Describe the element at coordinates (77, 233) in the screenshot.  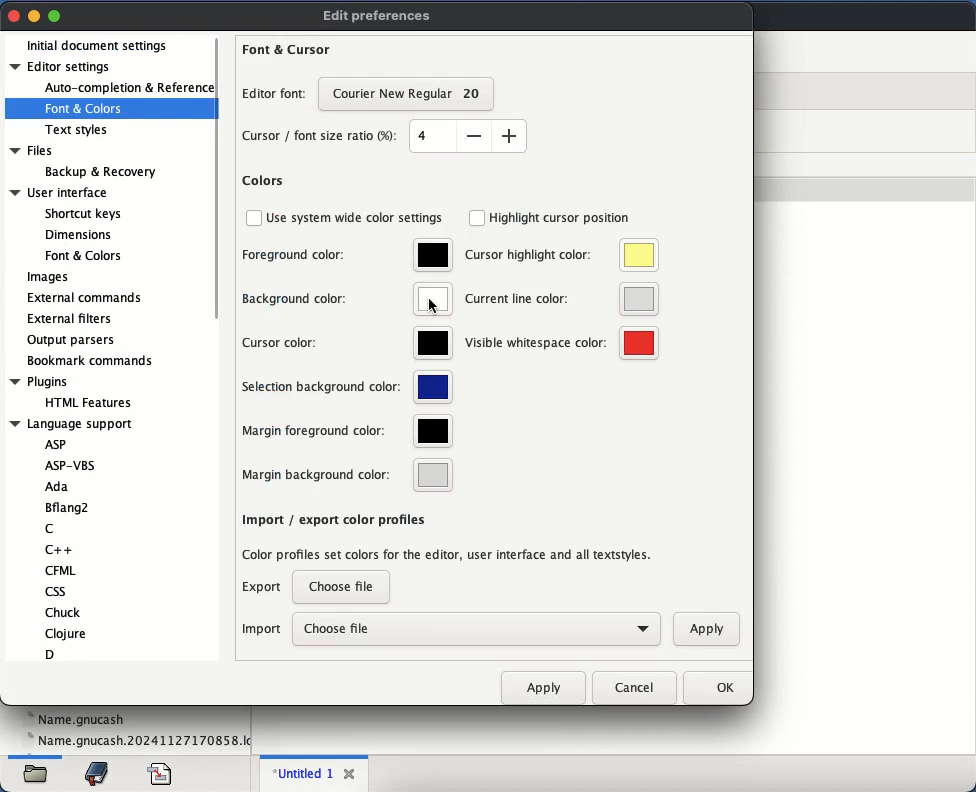
I see `Dimensions` at that location.